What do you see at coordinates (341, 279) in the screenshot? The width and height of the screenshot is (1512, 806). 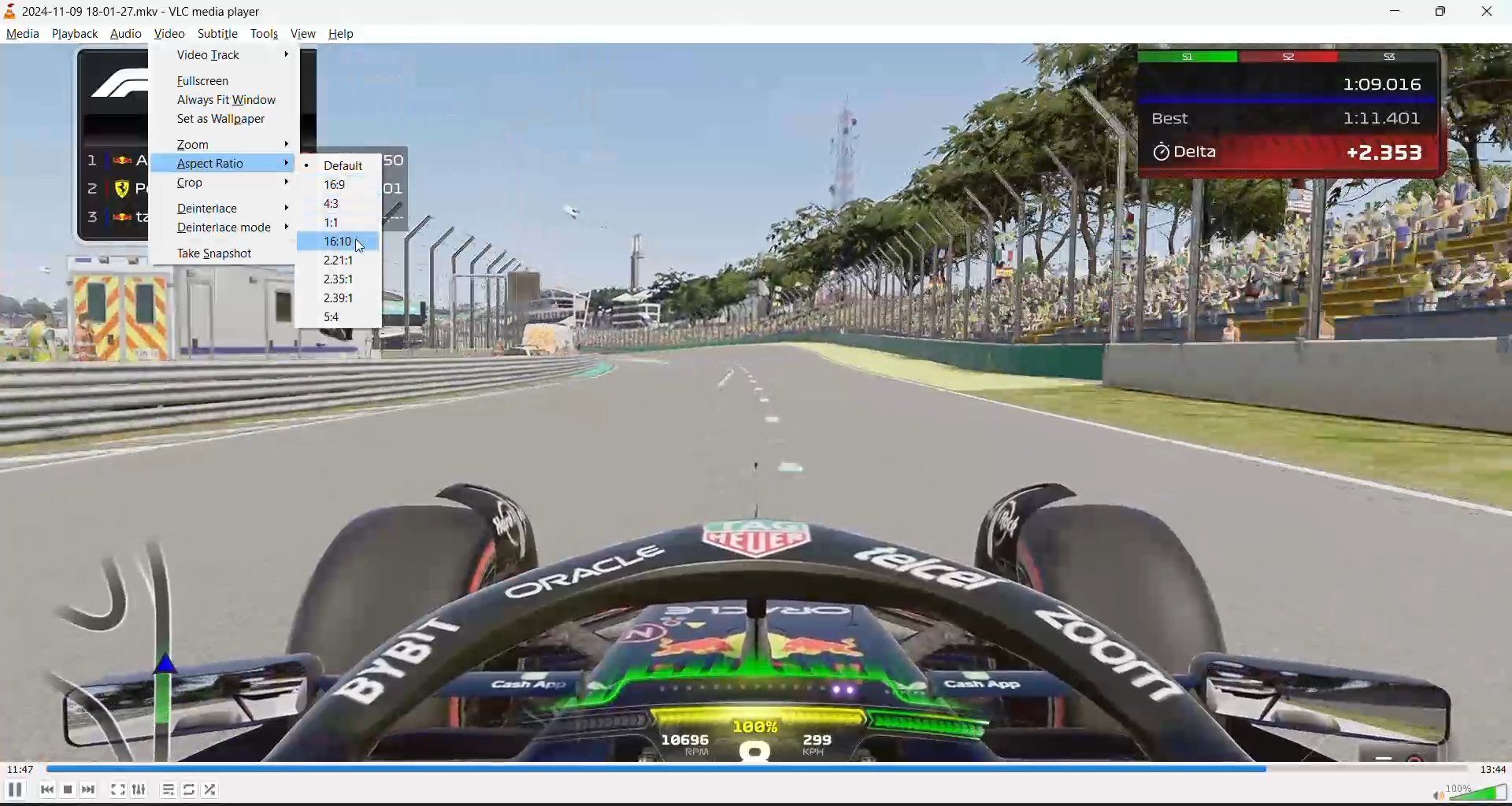 I see `2.35:1` at bounding box center [341, 279].